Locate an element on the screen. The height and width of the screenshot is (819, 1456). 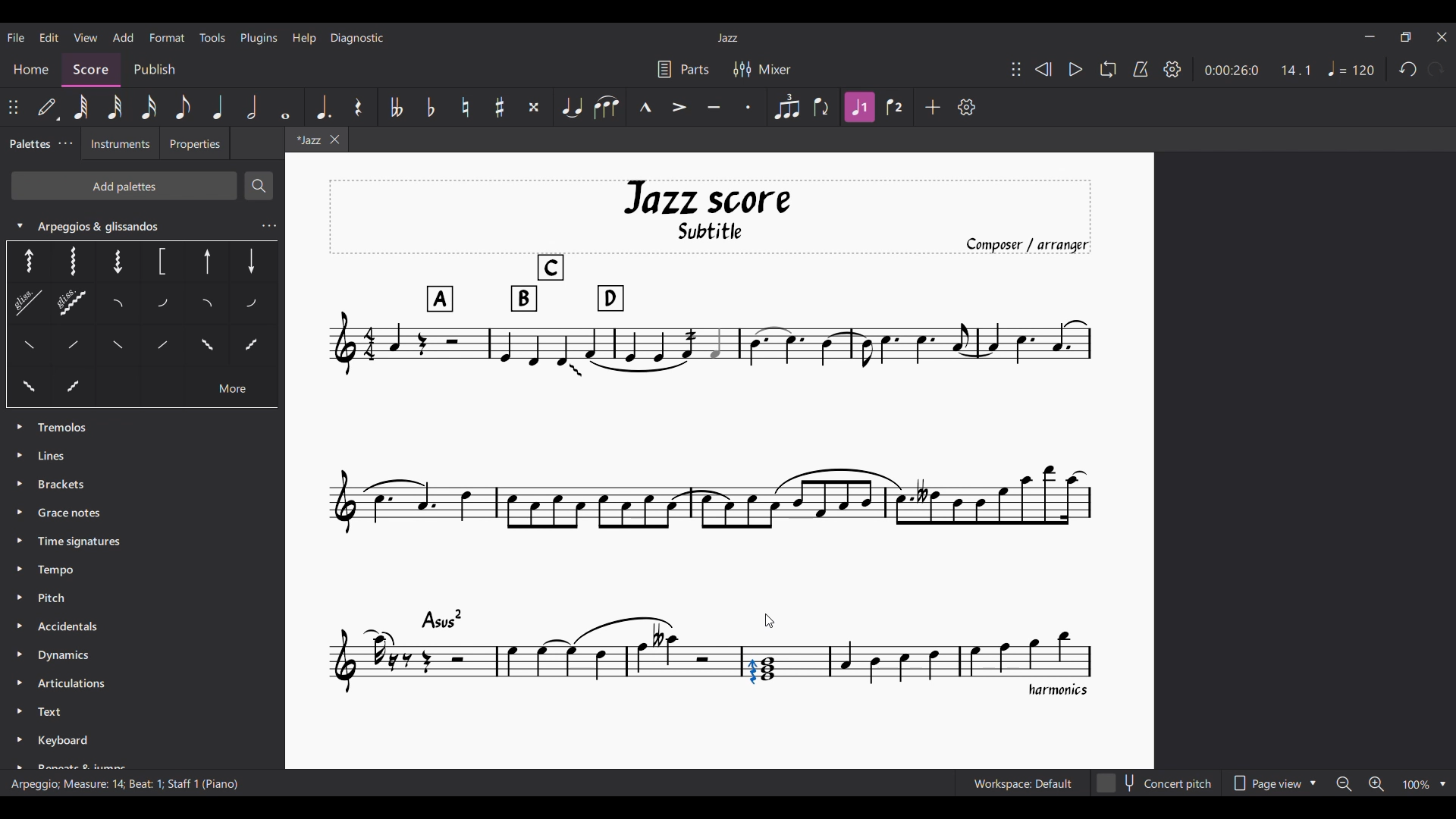
16th note is located at coordinates (148, 107).